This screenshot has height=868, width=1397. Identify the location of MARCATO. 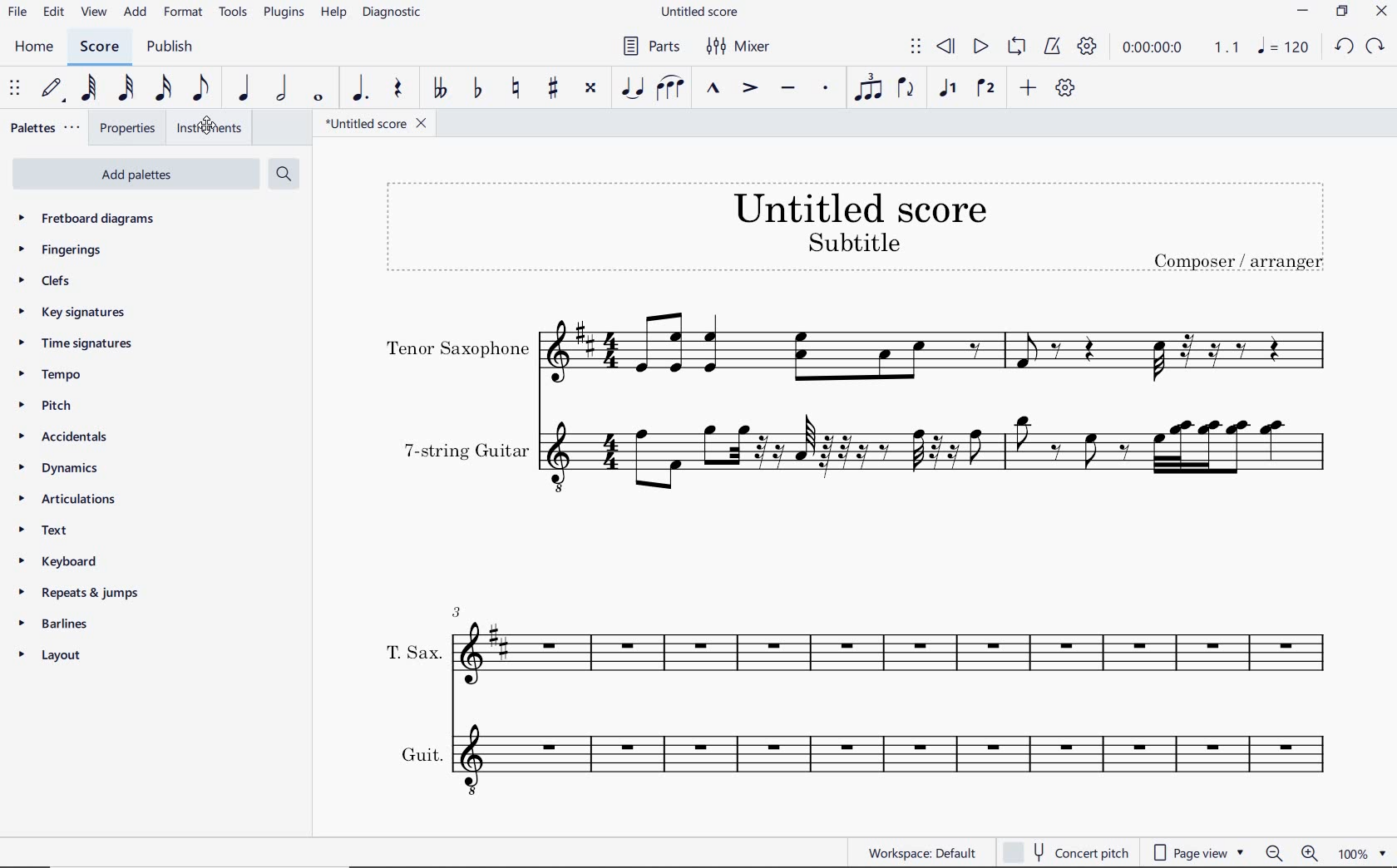
(713, 89).